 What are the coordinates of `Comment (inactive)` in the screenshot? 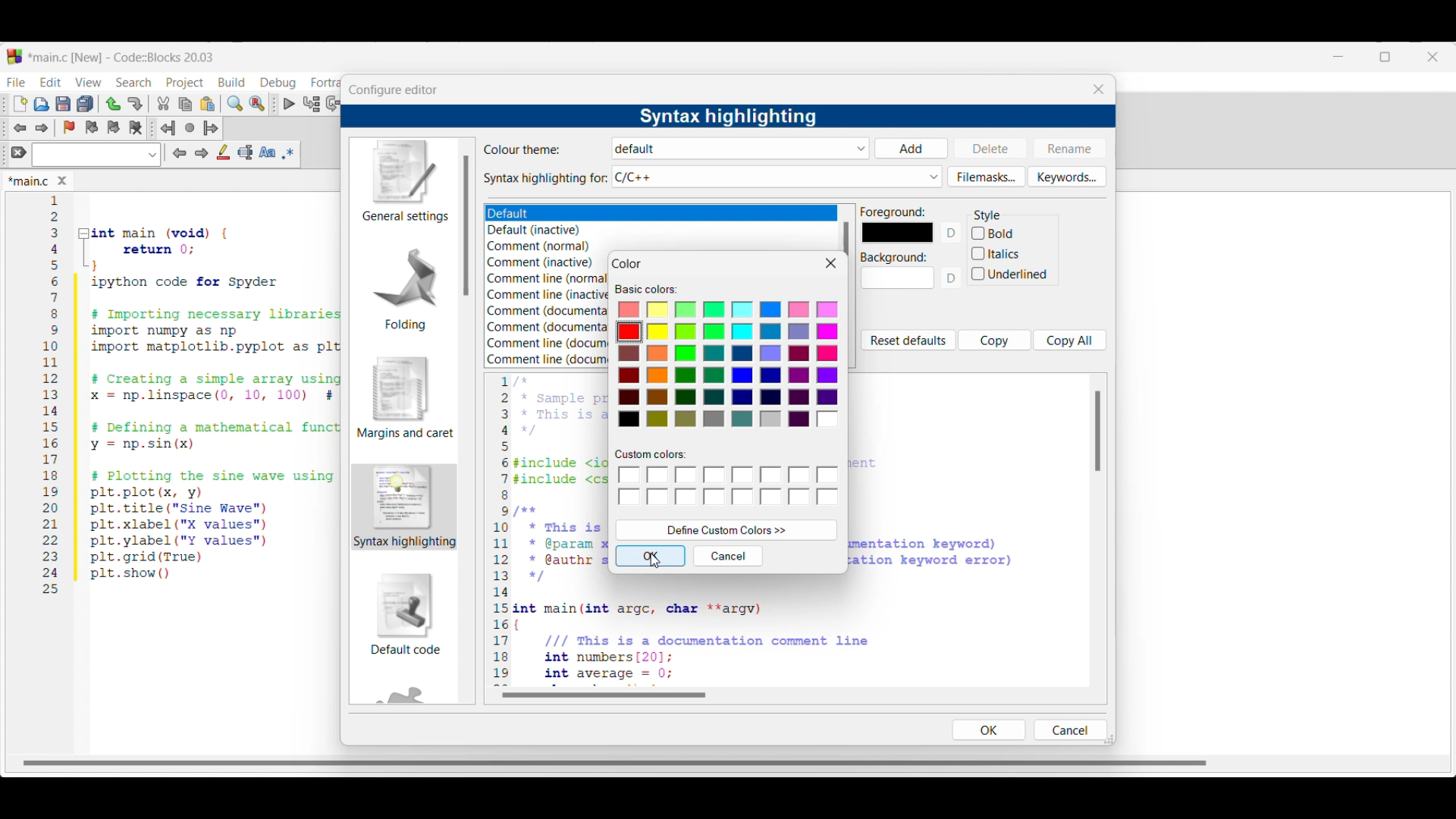 It's located at (541, 262).